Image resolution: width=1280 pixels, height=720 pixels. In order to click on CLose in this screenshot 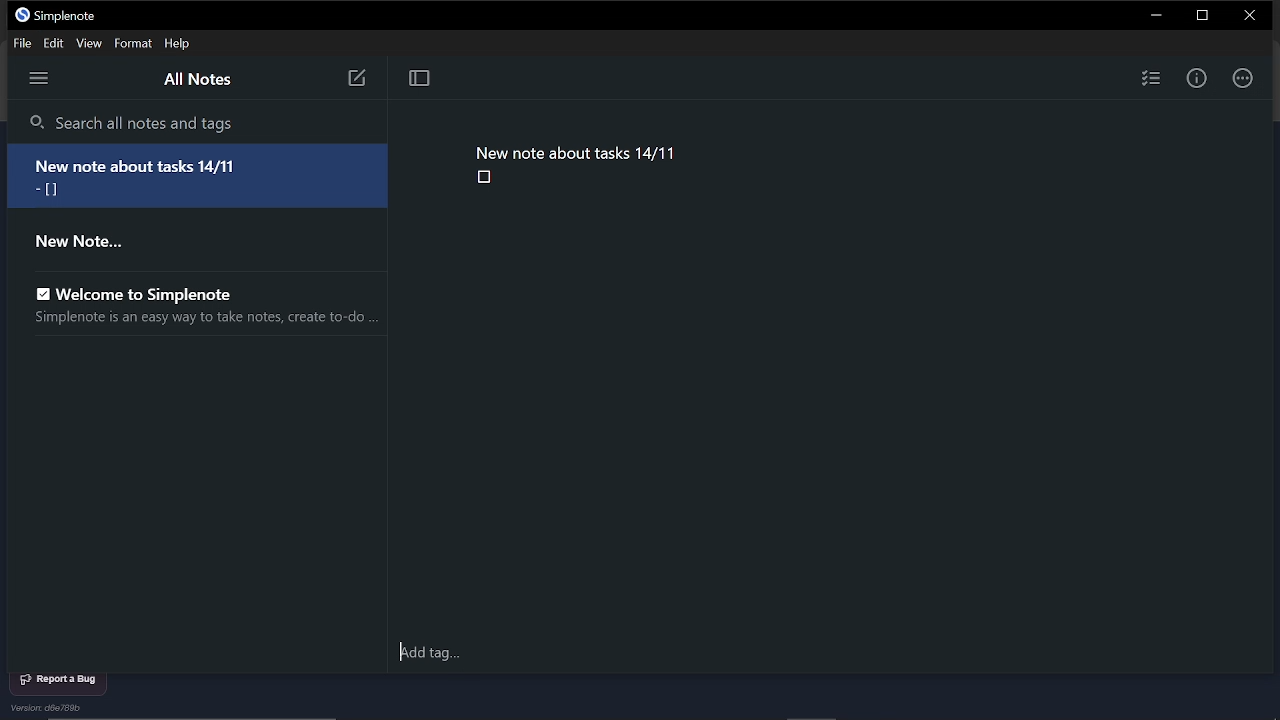, I will do `click(1247, 15)`.